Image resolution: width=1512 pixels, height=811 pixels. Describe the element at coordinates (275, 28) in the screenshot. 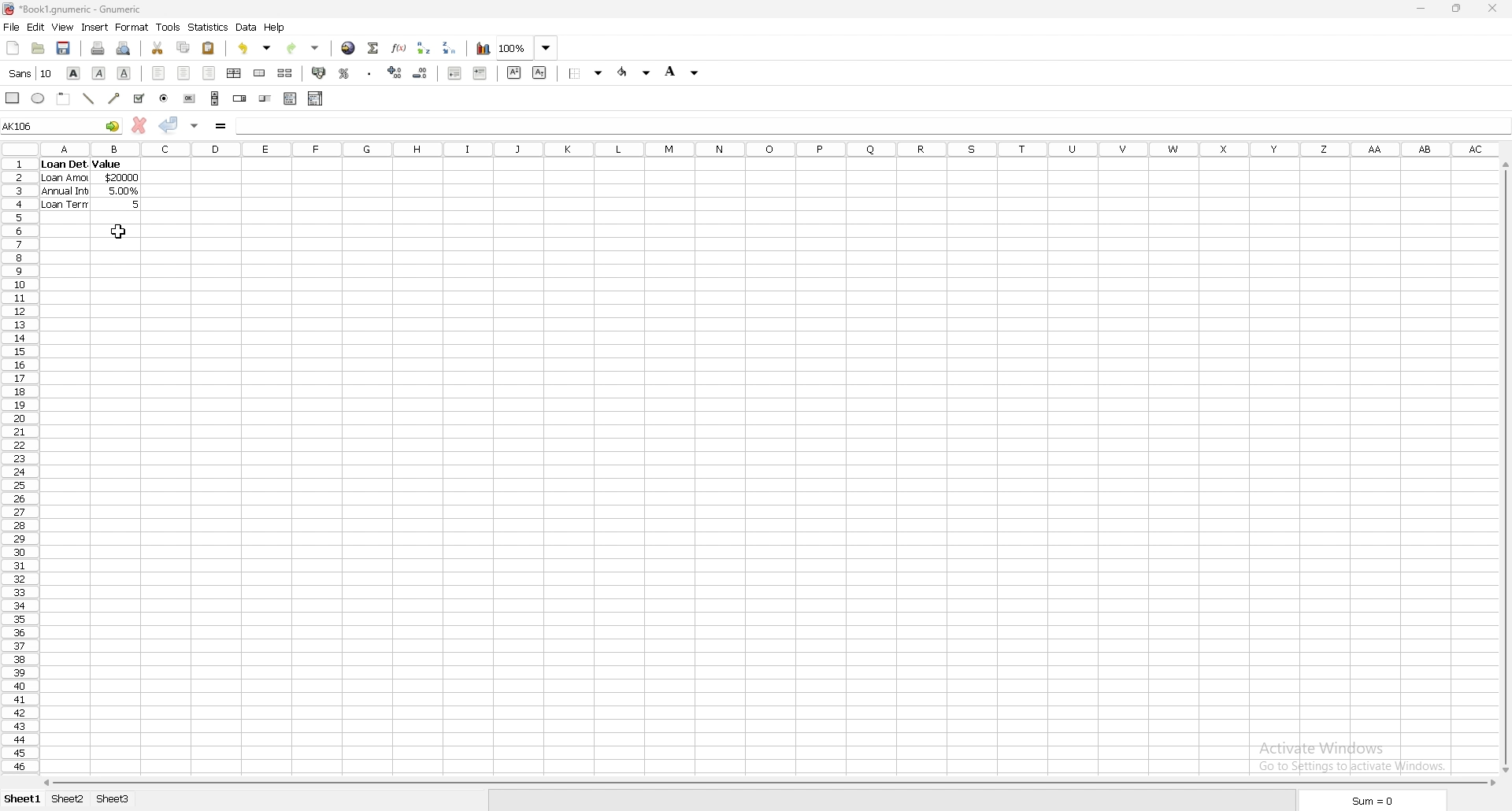

I see `help` at that location.